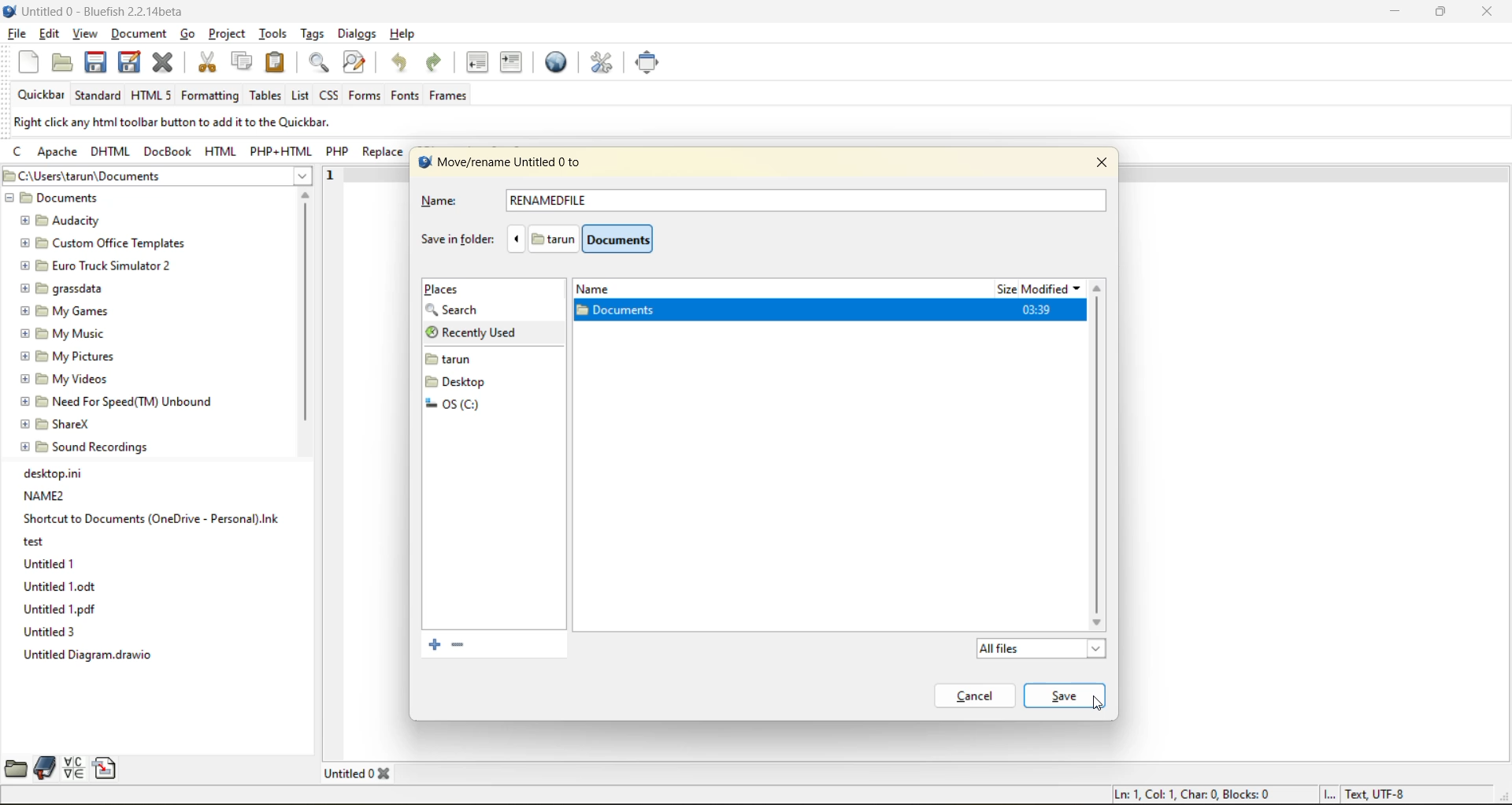  I want to click on recently used, so click(479, 332).